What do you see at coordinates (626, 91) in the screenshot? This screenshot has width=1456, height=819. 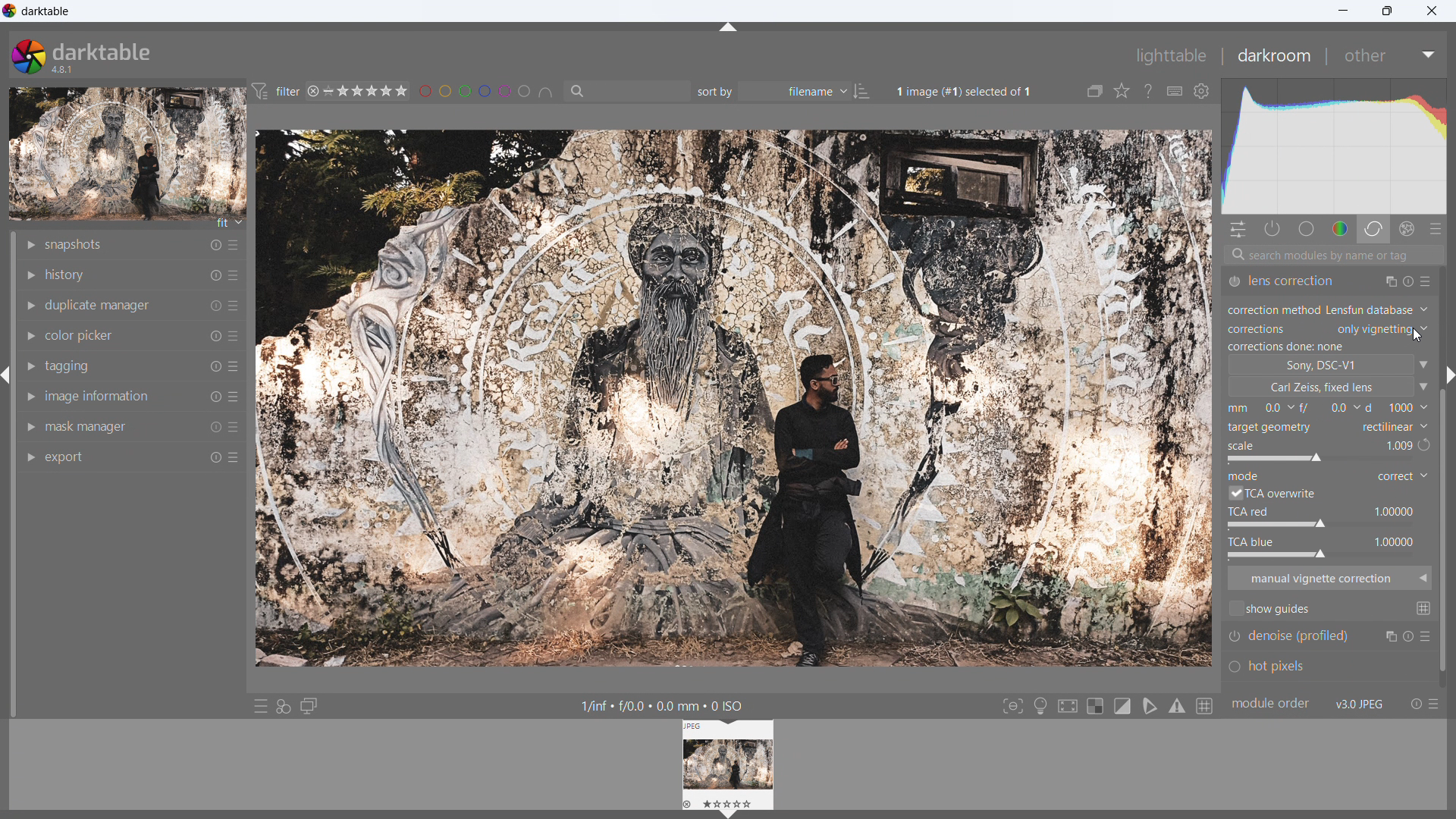 I see `filter by text from images metadata` at bounding box center [626, 91].